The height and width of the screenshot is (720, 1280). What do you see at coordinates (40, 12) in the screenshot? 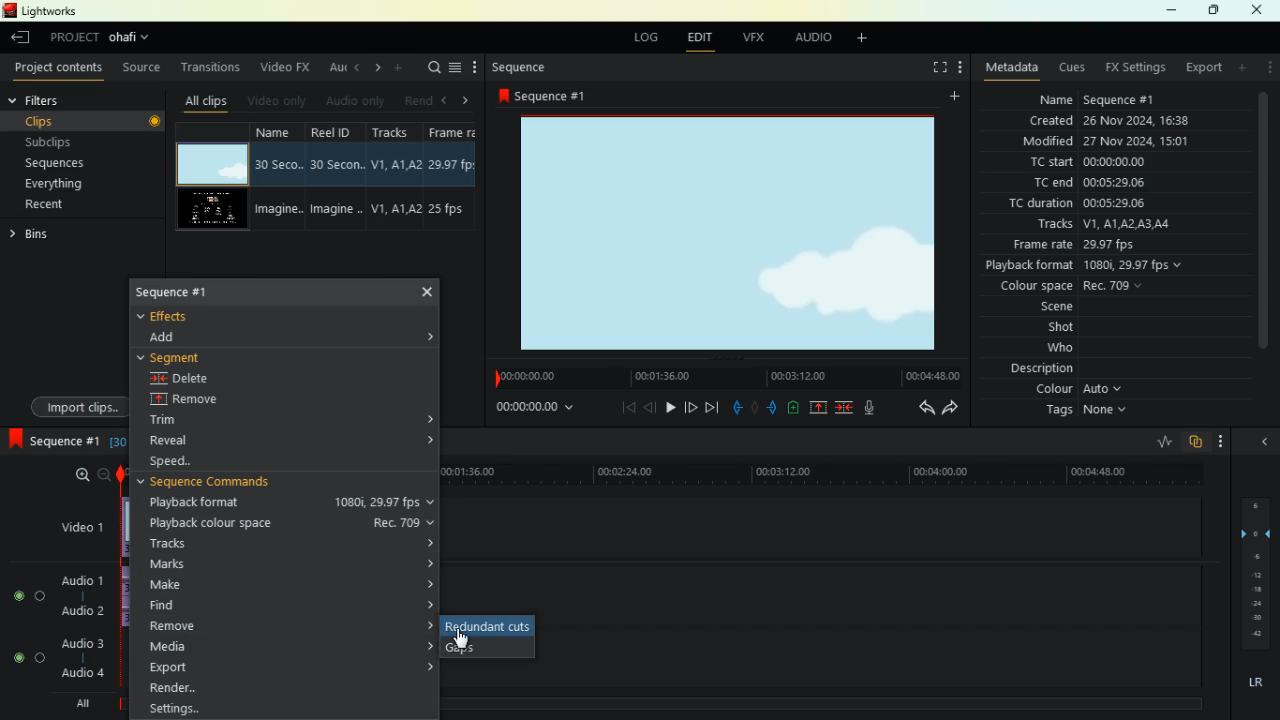
I see `lightworks` at bounding box center [40, 12].